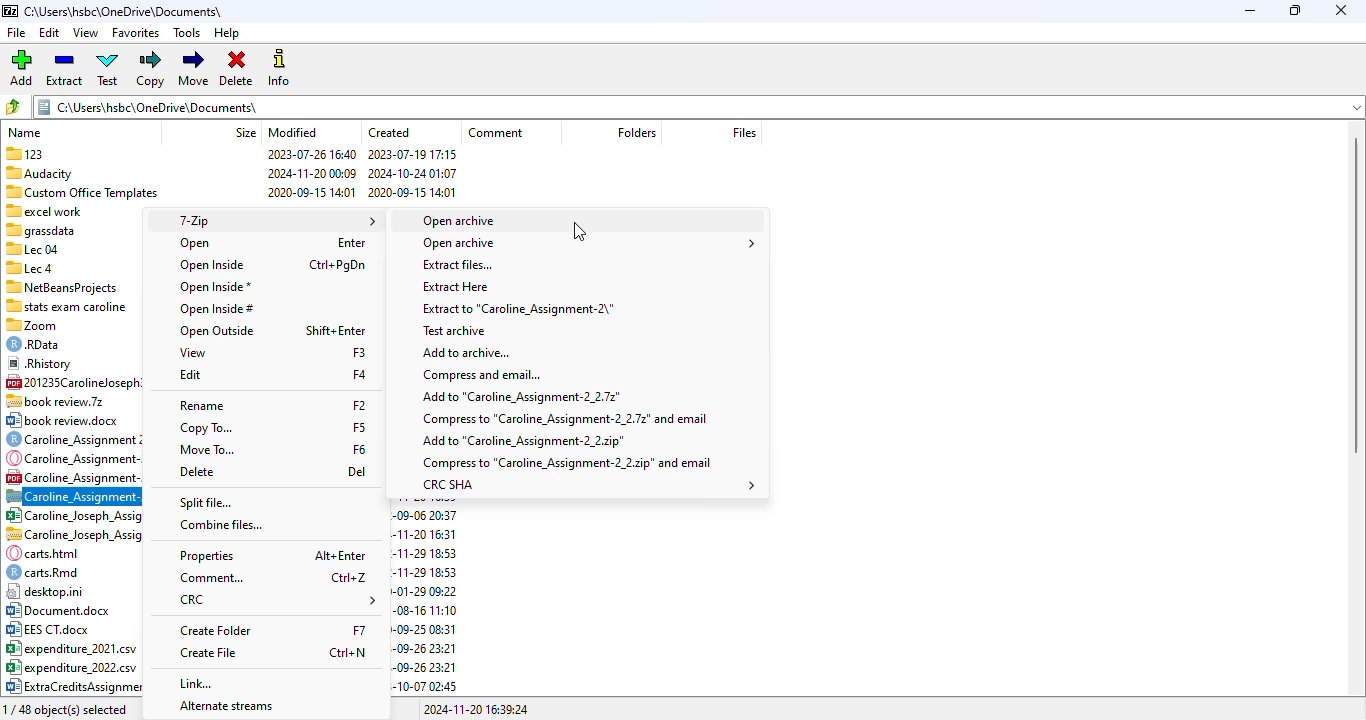 The width and height of the screenshot is (1366, 720). Describe the element at coordinates (336, 265) in the screenshot. I see `shortcut for open inside` at that location.